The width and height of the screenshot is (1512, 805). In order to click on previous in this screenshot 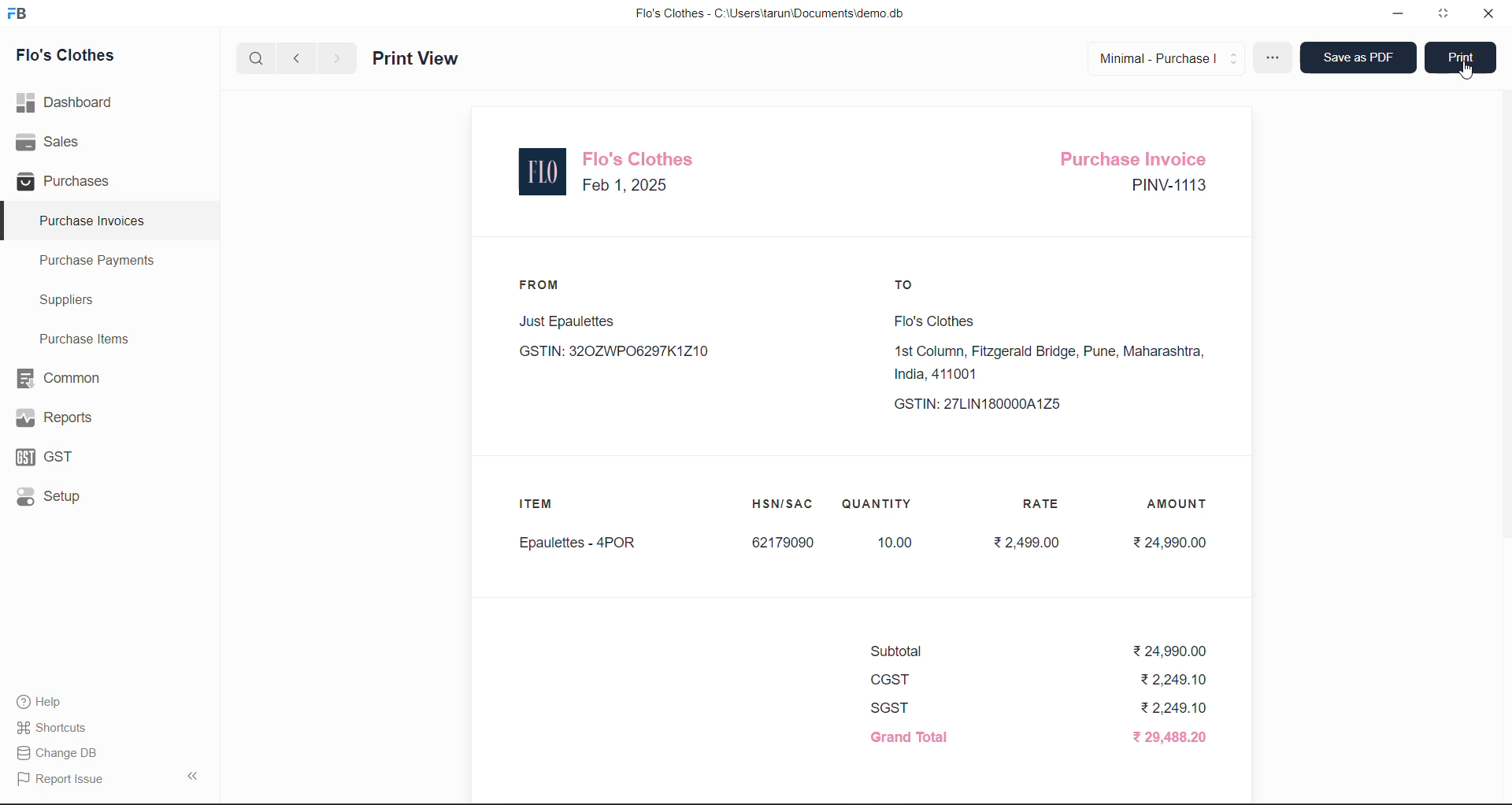, I will do `click(300, 57)`.